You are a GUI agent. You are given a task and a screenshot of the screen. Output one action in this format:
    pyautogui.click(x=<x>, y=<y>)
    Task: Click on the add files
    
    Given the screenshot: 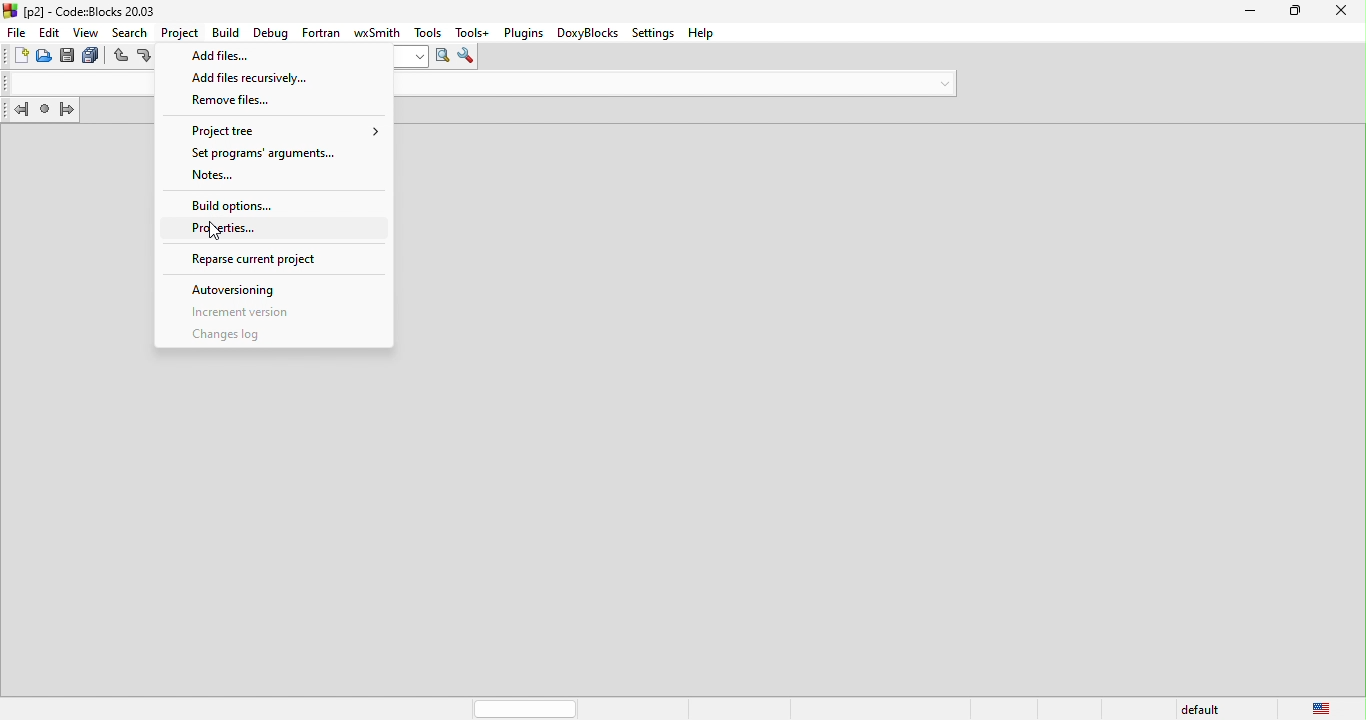 What is the action you would take?
    pyautogui.click(x=273, y=54)
    